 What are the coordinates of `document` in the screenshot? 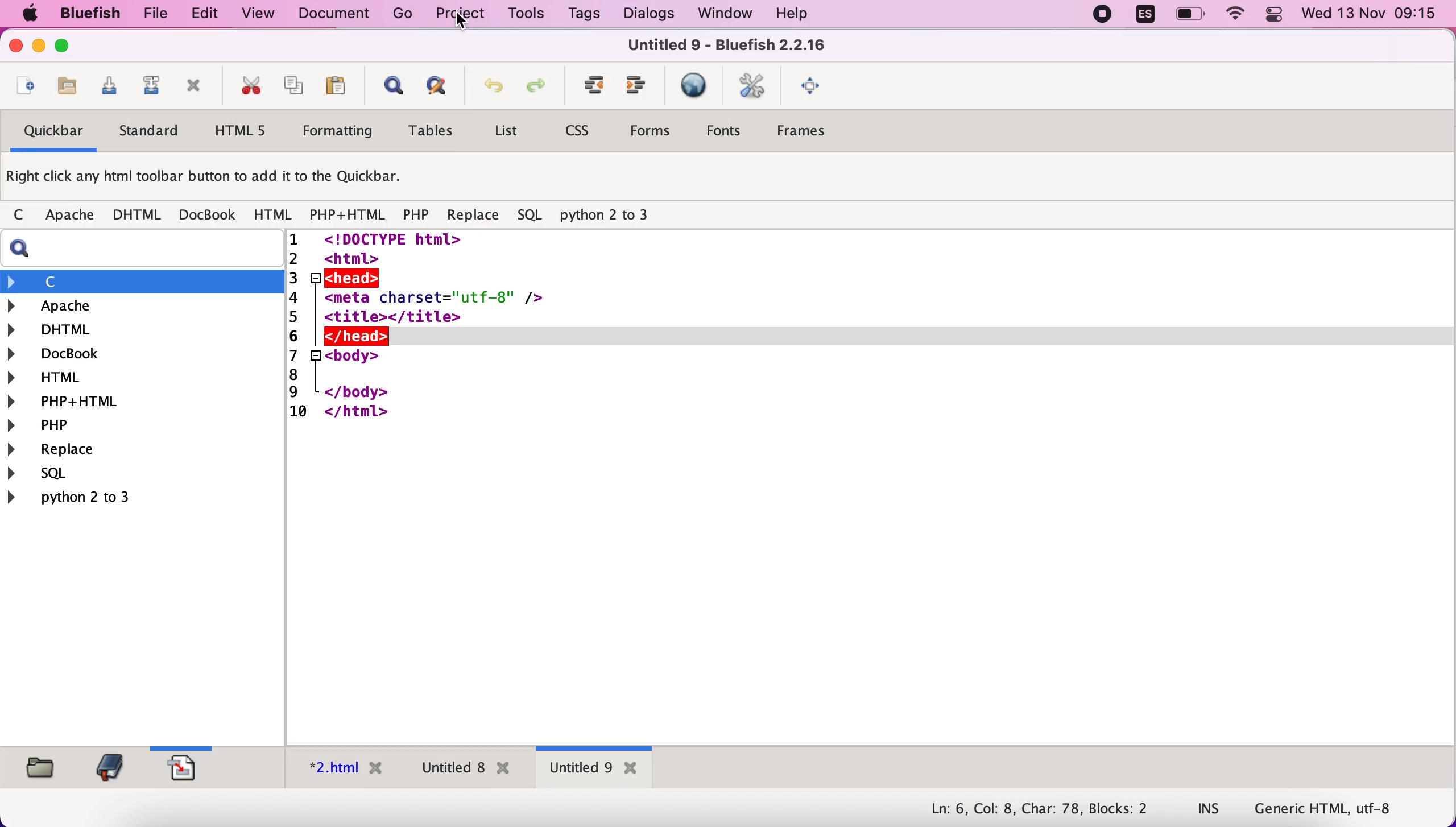 It's located at (338, 14).